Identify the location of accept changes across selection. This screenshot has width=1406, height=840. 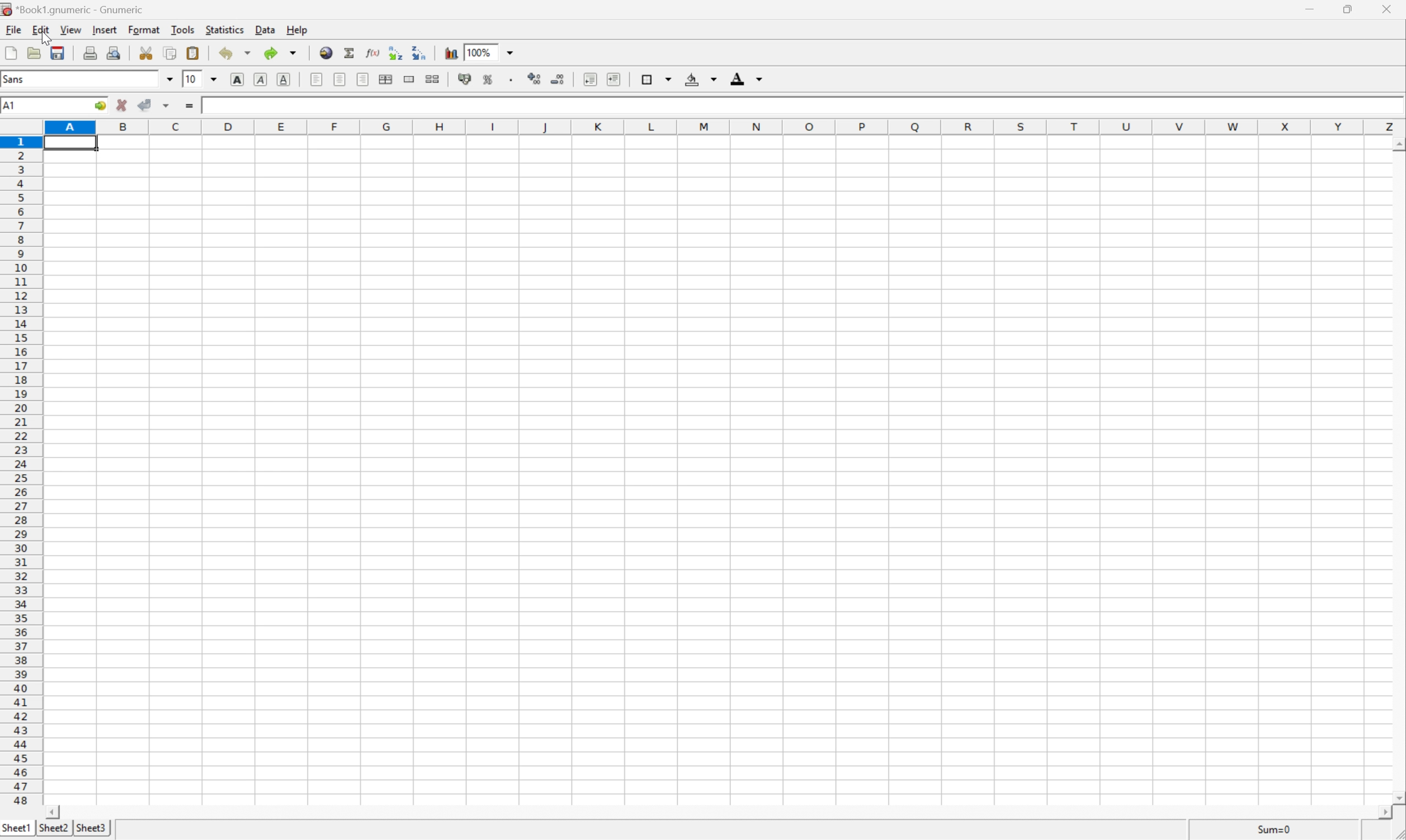
(156, 102).